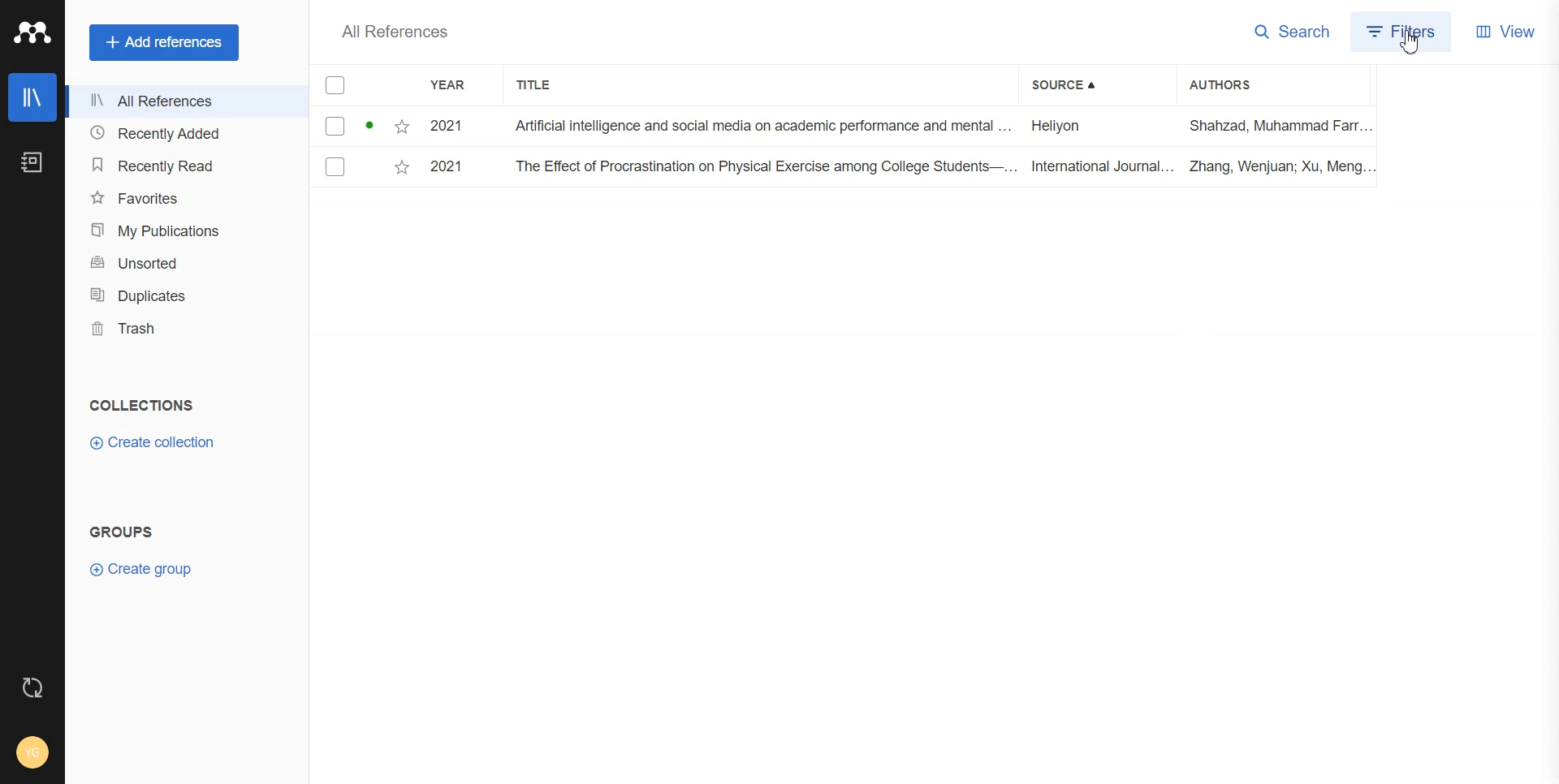  Describe the element at coordinates (1076, 84) in the screenshot. I see `Source` at that location.